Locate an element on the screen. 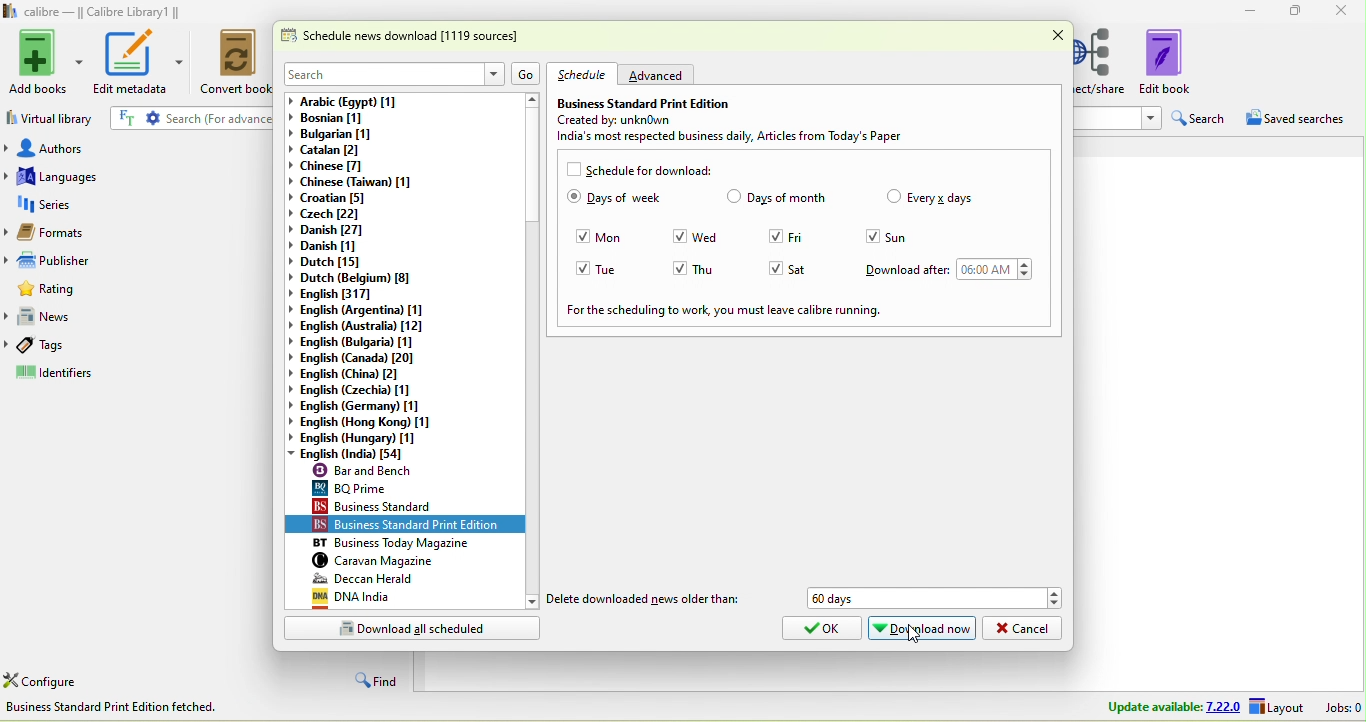 The image size is (1366, 722). rating is located at coordinates (142, 290).